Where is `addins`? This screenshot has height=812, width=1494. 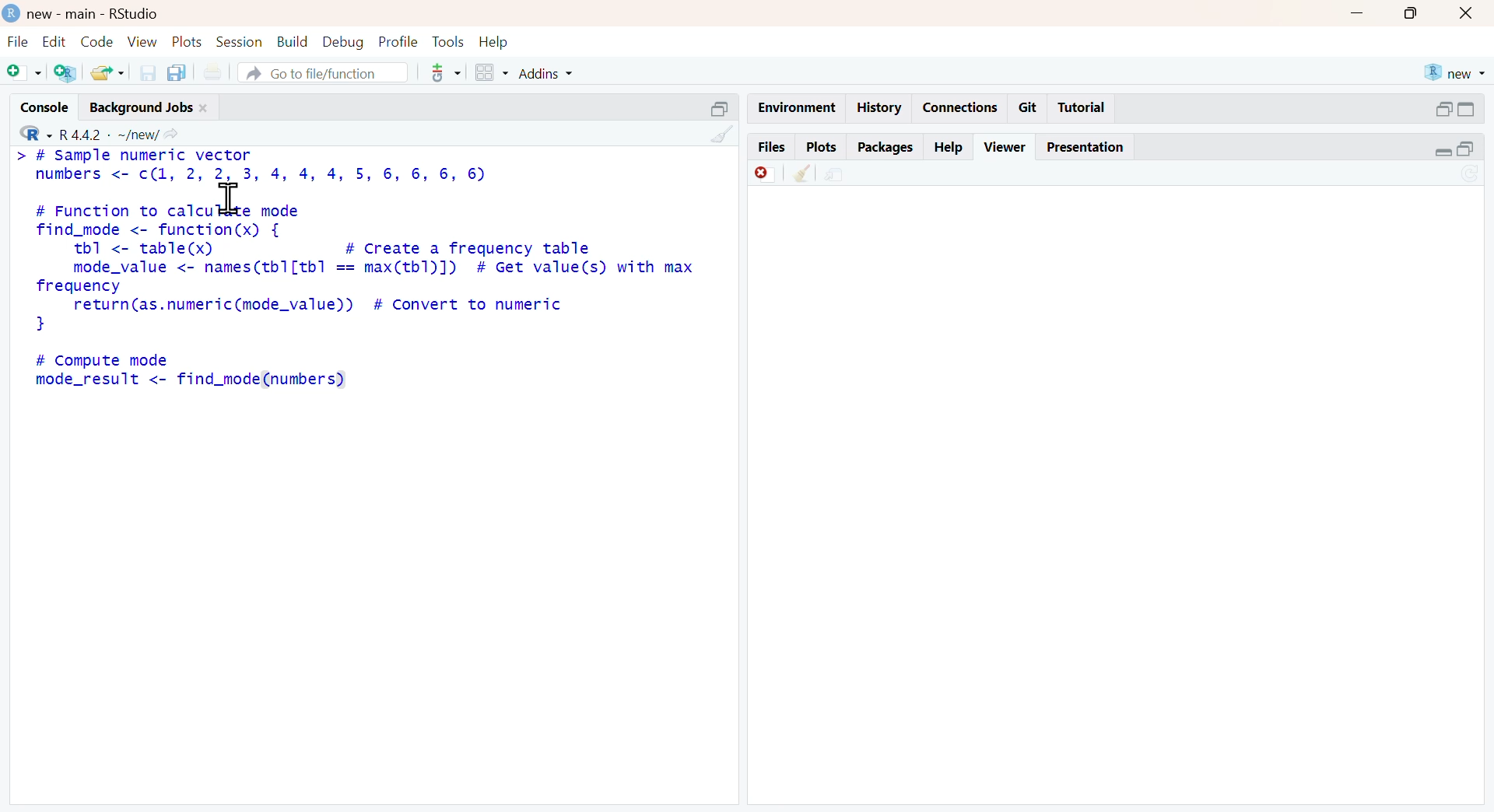 addins is located at coordinates (548, 75).